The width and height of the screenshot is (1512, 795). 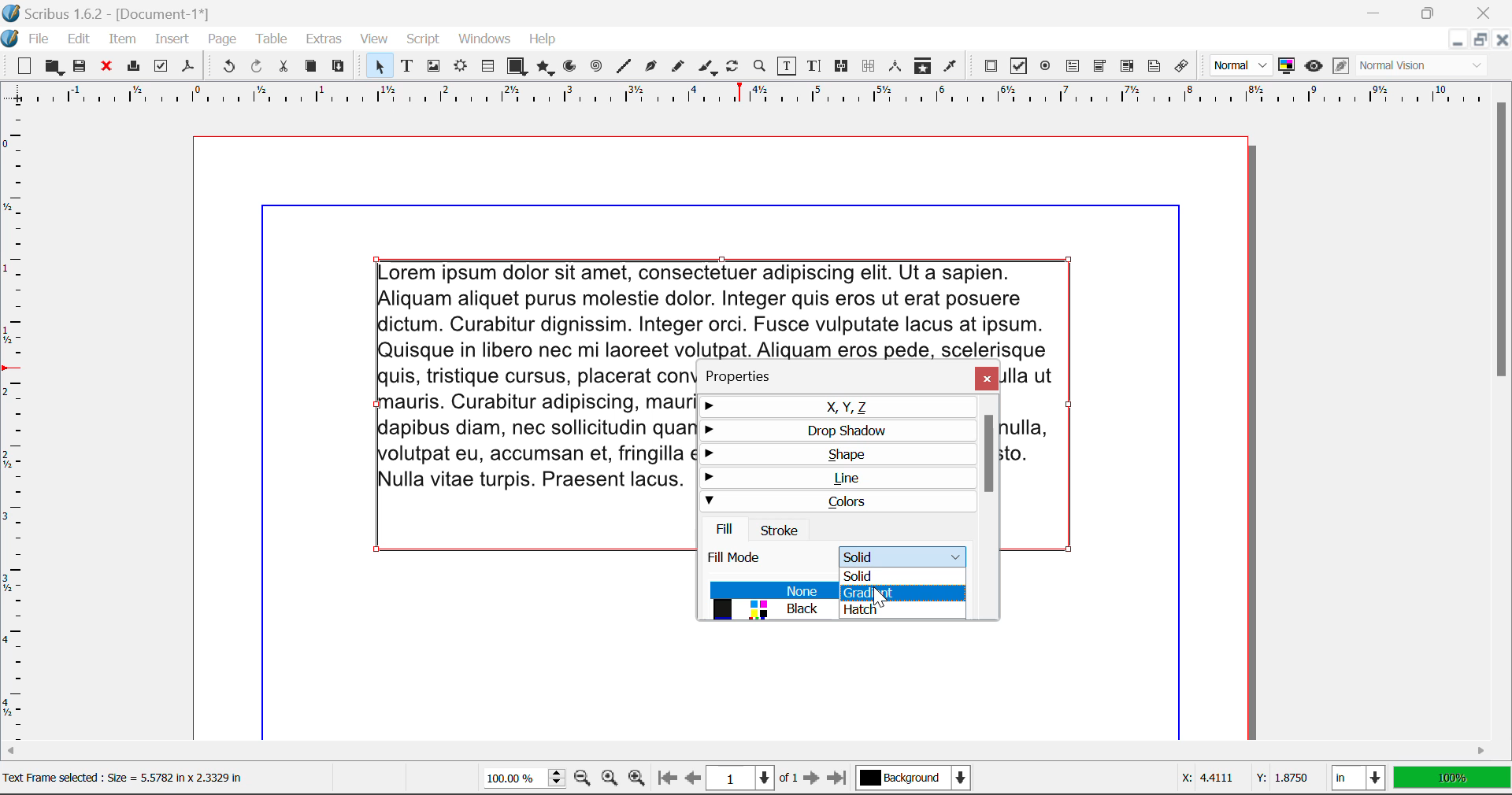 What do you see at coordinates (1128, 66) in the screenshot?
I see `PDF List Box` at bounding box center [1128, 66].